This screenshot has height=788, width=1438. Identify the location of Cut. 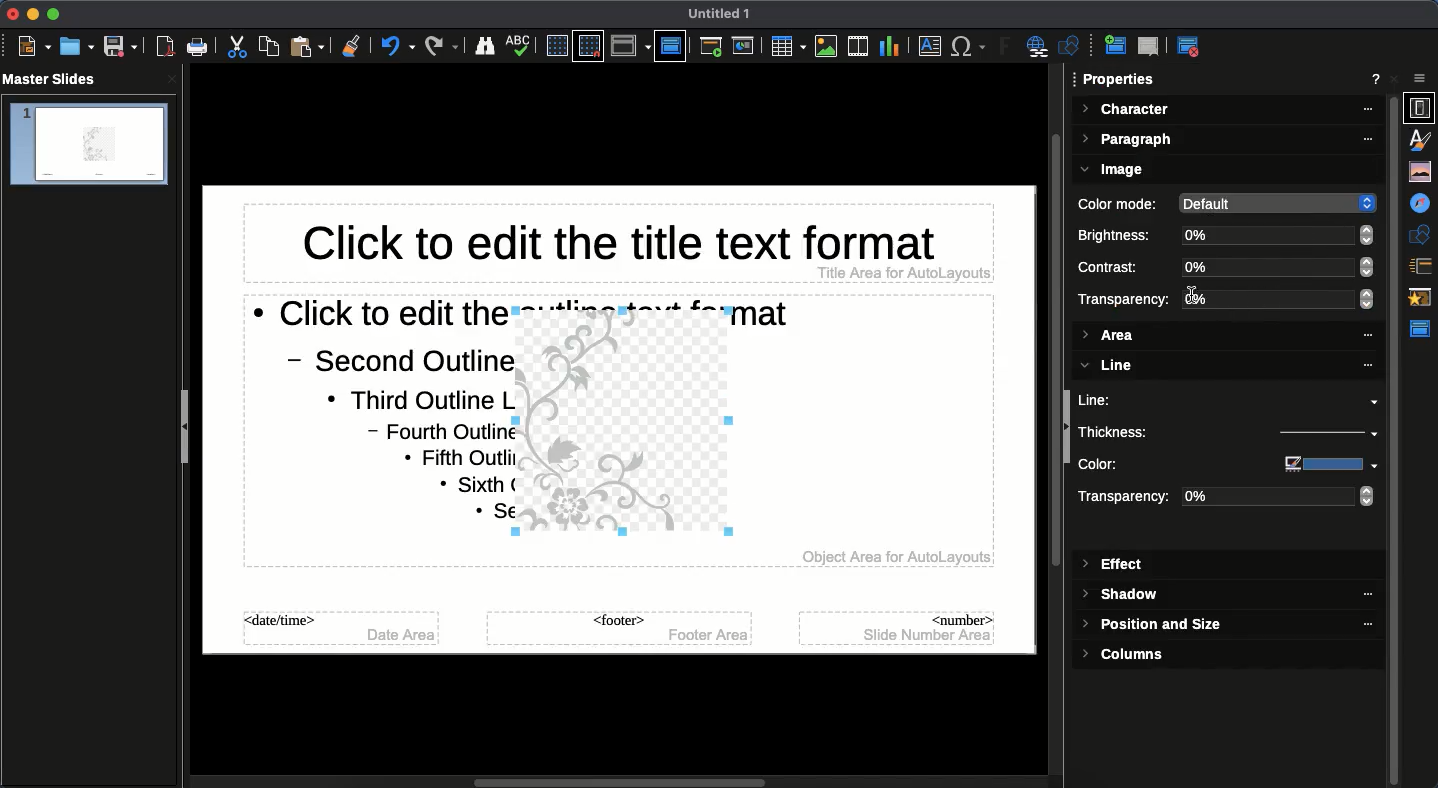
(240, 47).